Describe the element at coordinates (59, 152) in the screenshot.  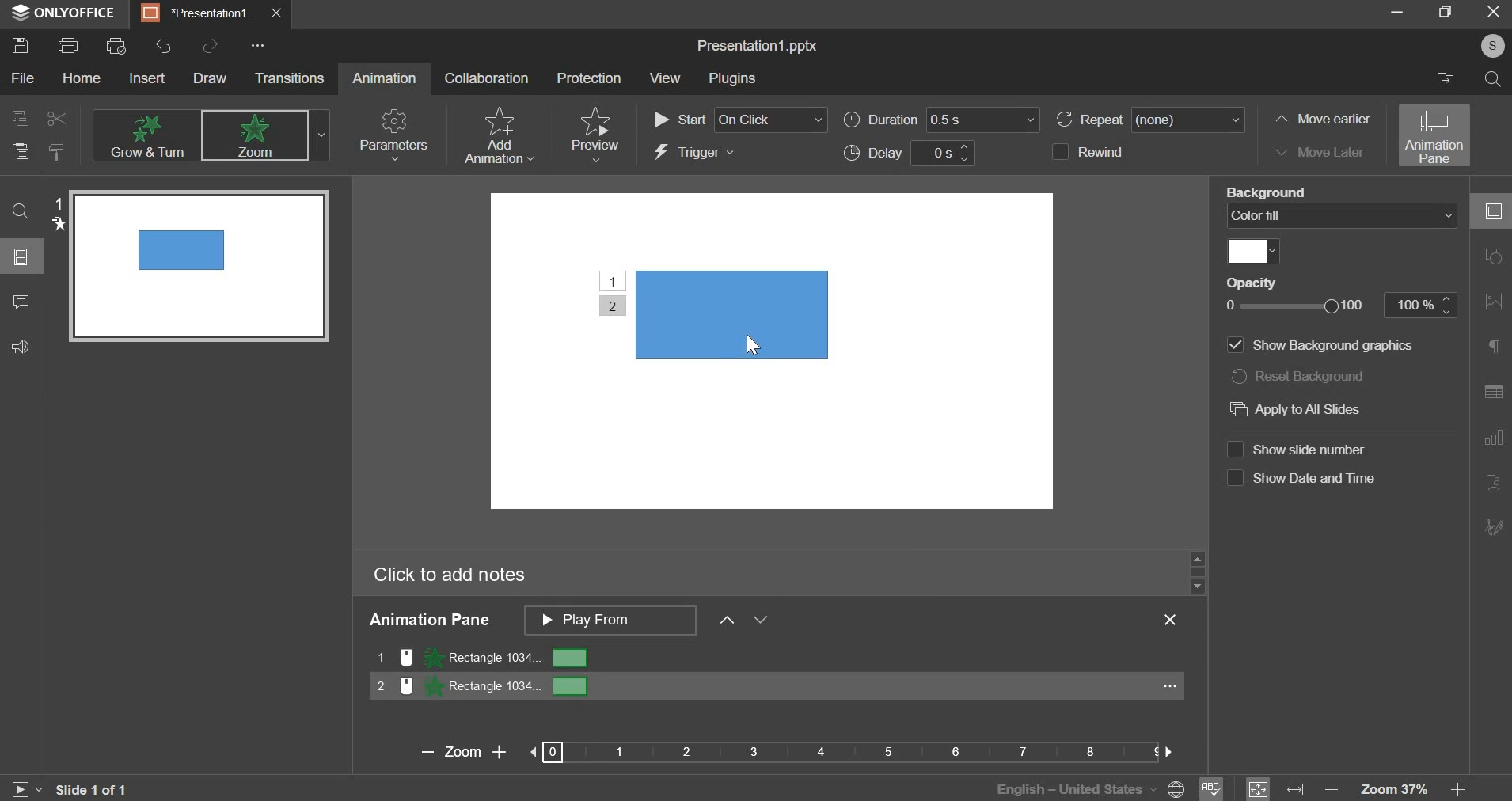
I see `copy style` at that location.